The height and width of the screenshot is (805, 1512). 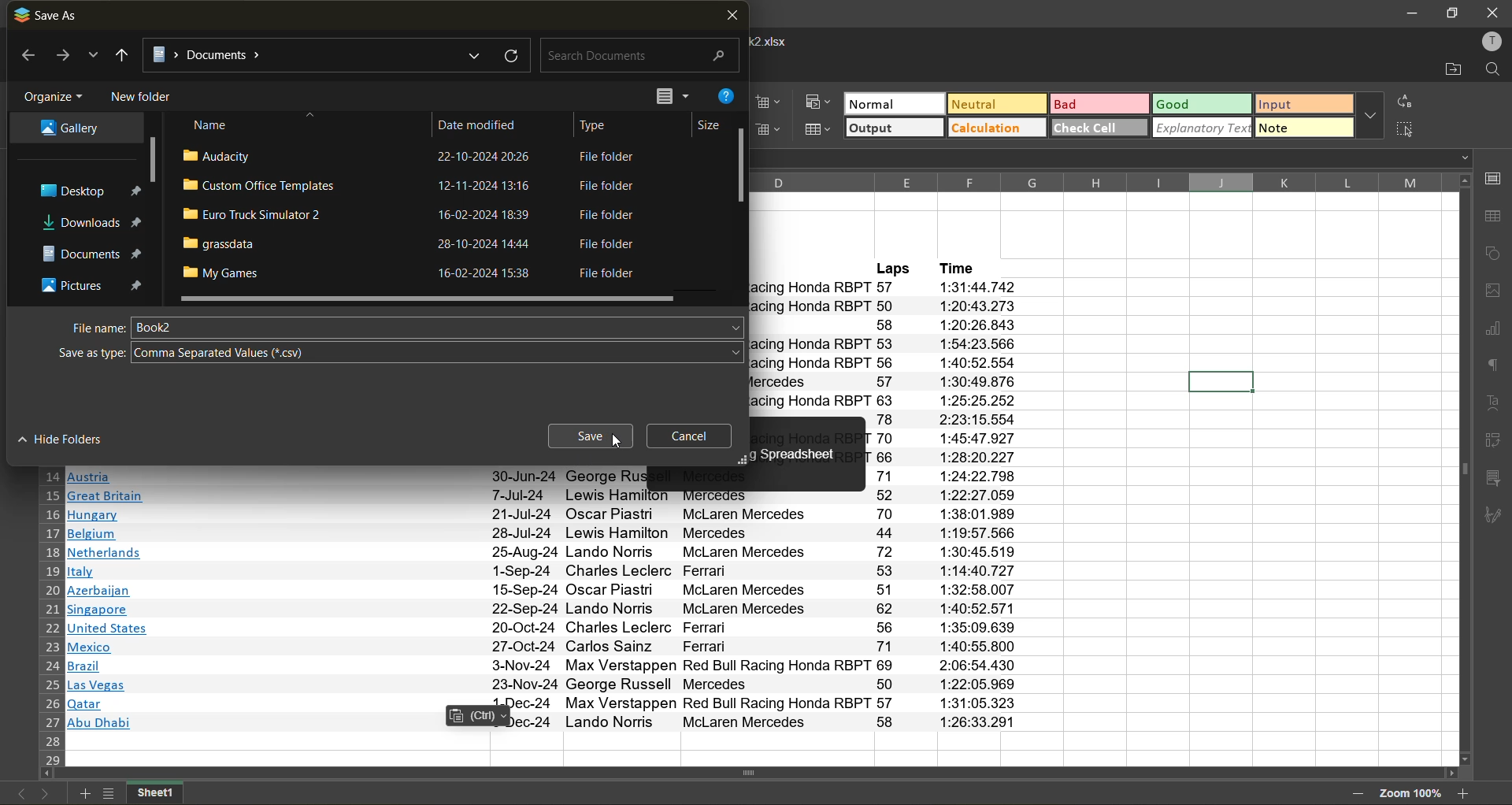 What do you see at coordinates (1203, 129) in the screenshot?
I see `explanatory text` at bounding box center [1203, 129].